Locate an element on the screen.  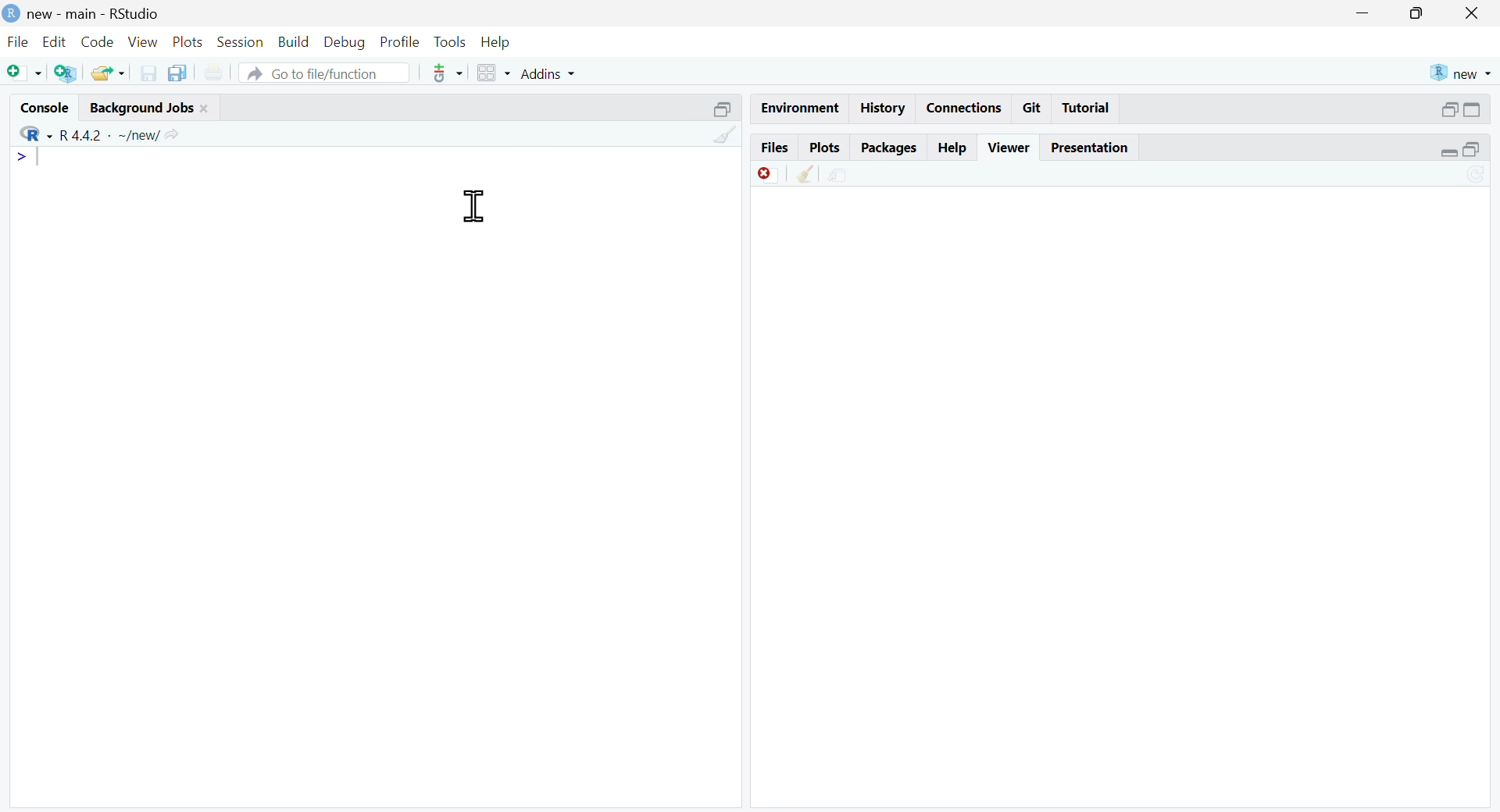
> is located at coordinates (21, 156).